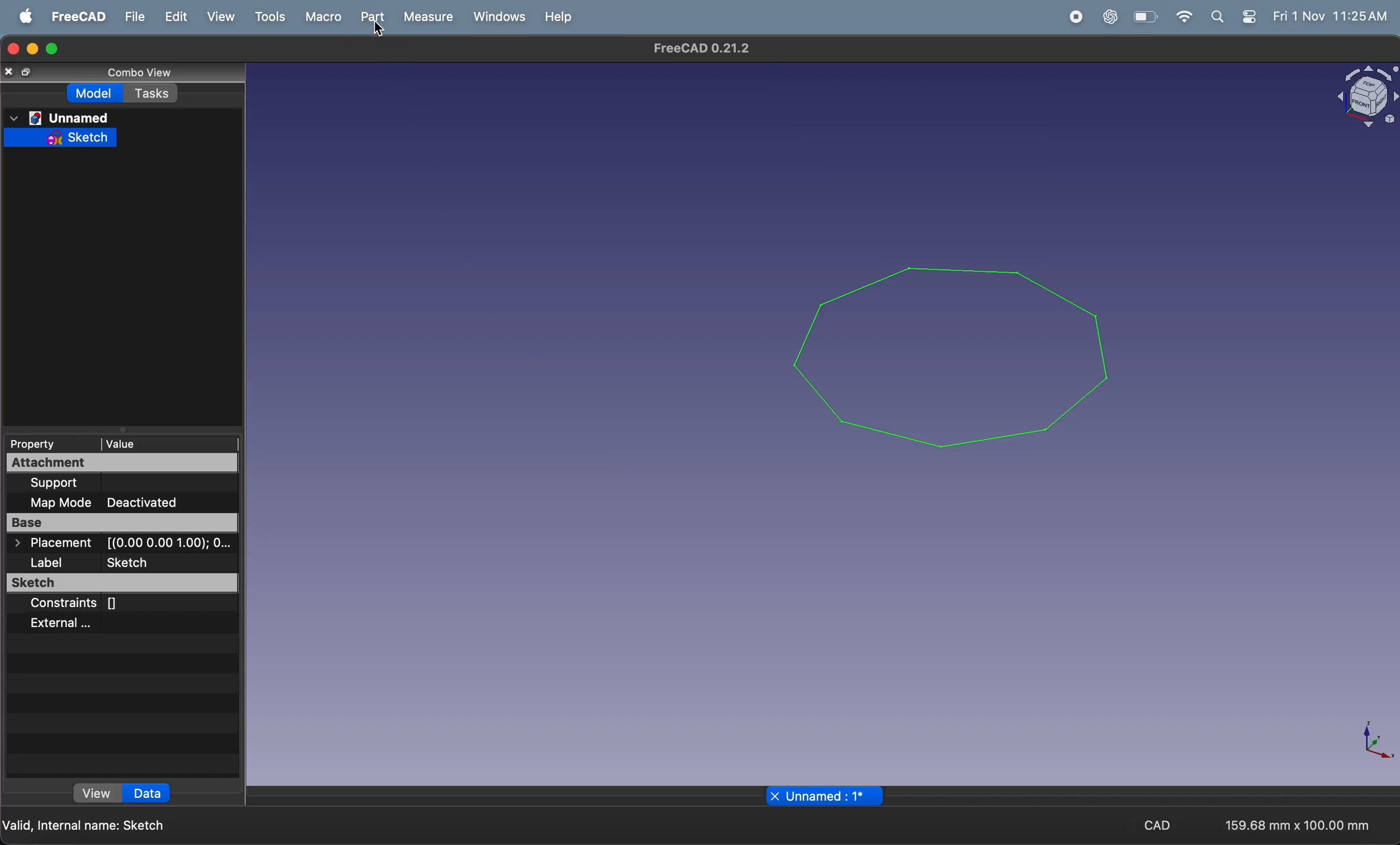 This screenshot has width=1400, height=845. Describe the element at coordinates (559, 16) in the screenshot. I see `help` at that location.